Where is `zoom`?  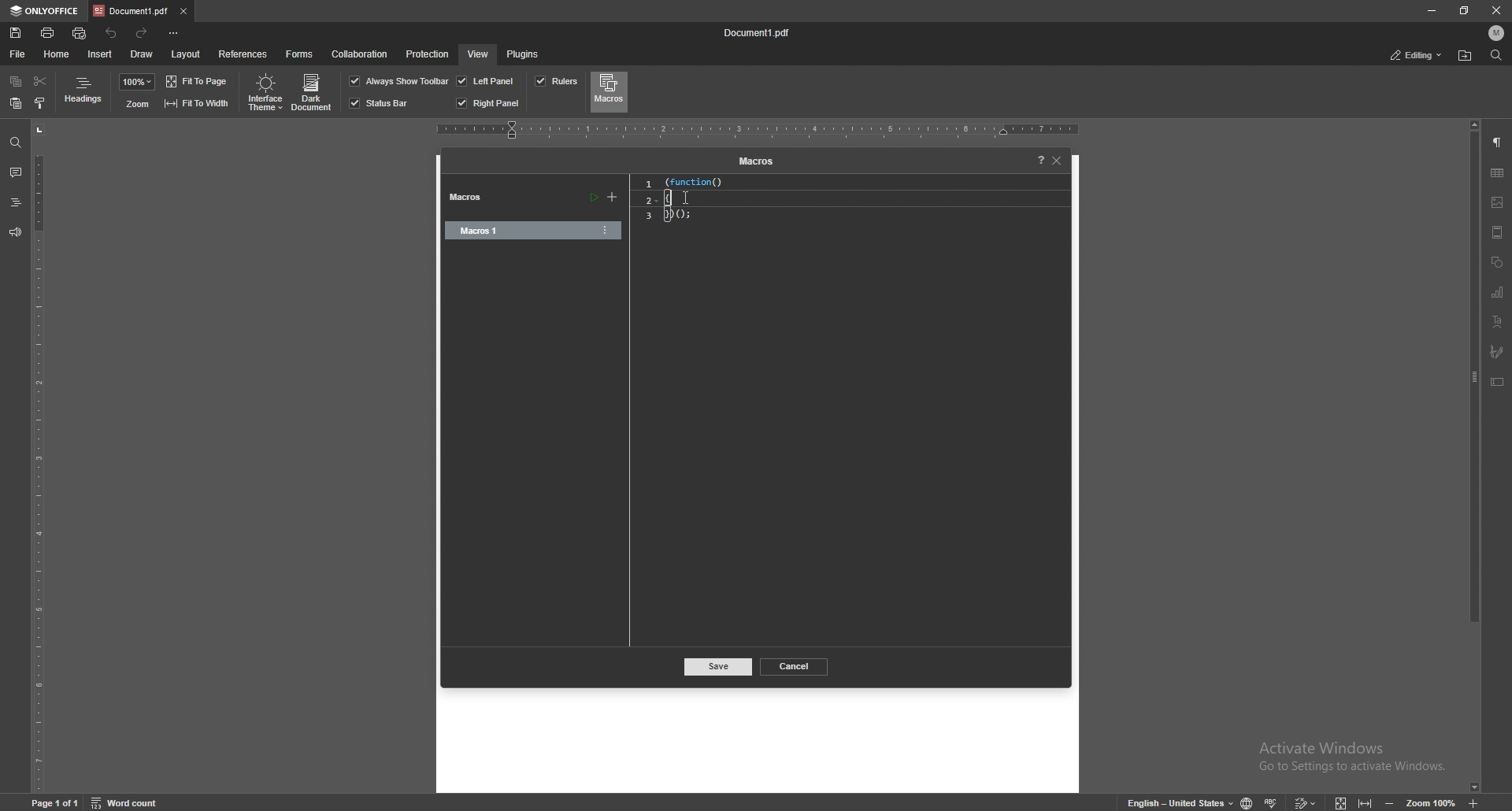 zoom is located at coordinates (136, 104).